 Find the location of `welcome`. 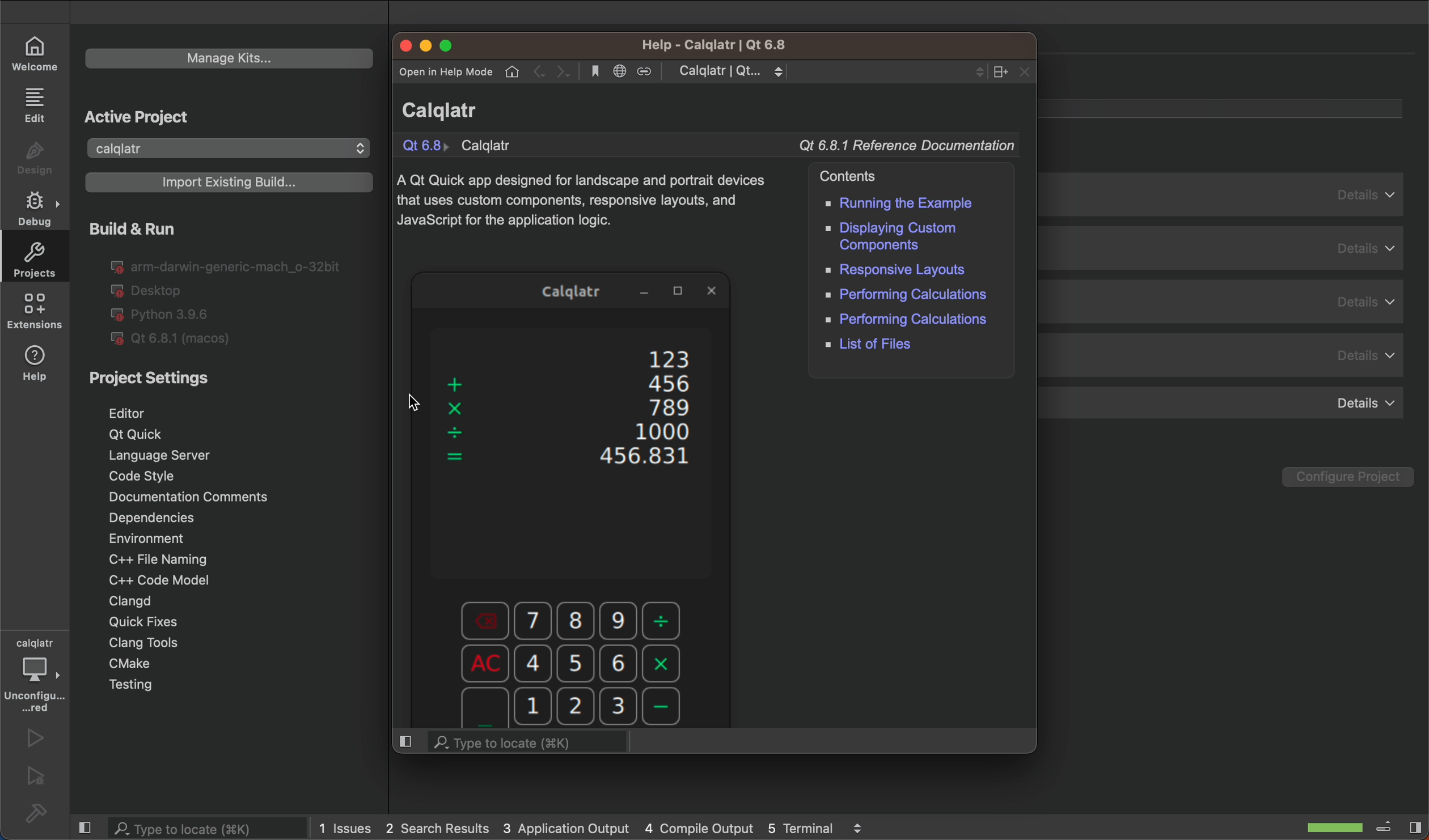

welcome is located at coordinates (35, 54).